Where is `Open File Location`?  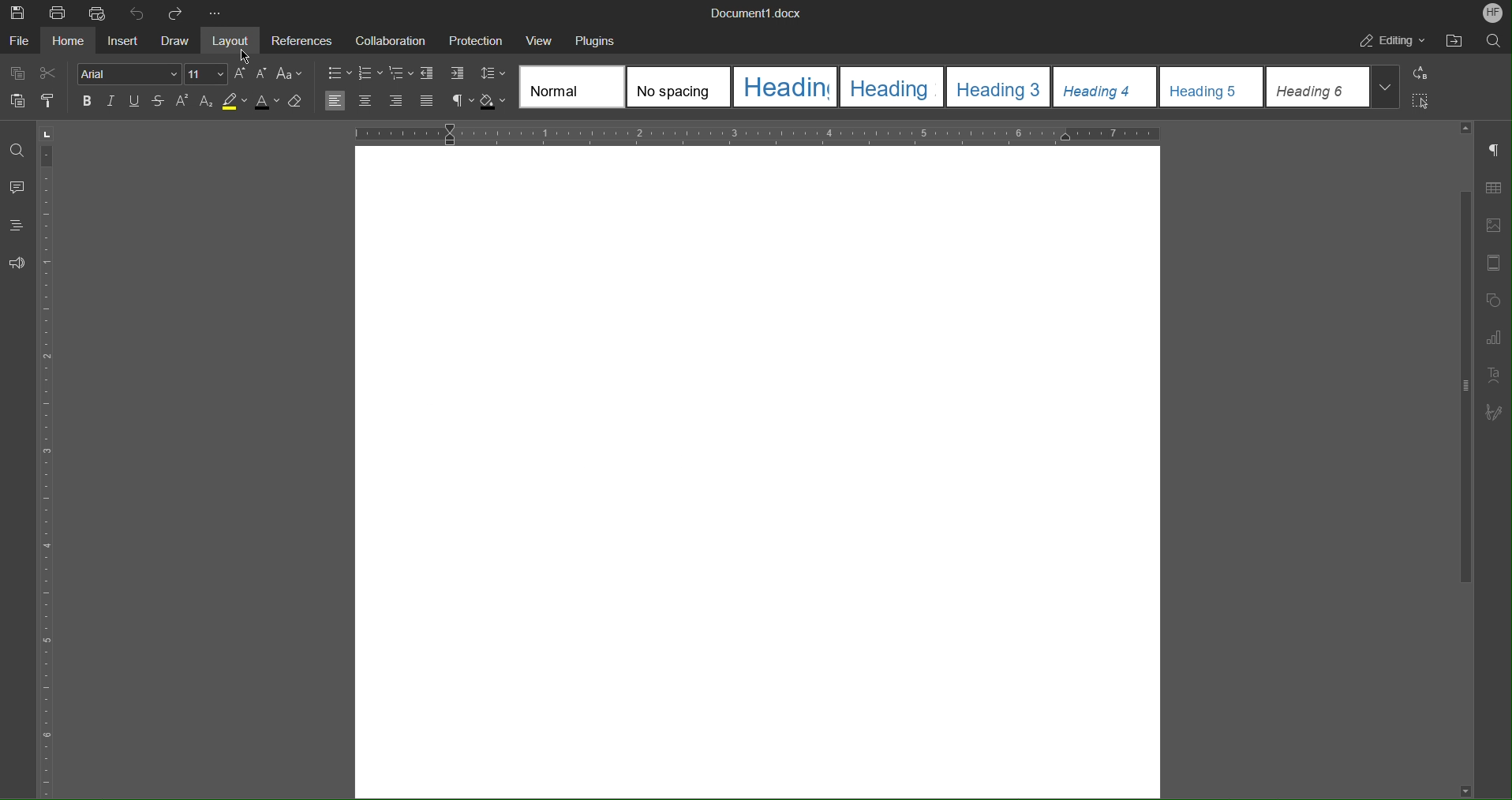
Open File Location is located at coordinates (1450, 41).